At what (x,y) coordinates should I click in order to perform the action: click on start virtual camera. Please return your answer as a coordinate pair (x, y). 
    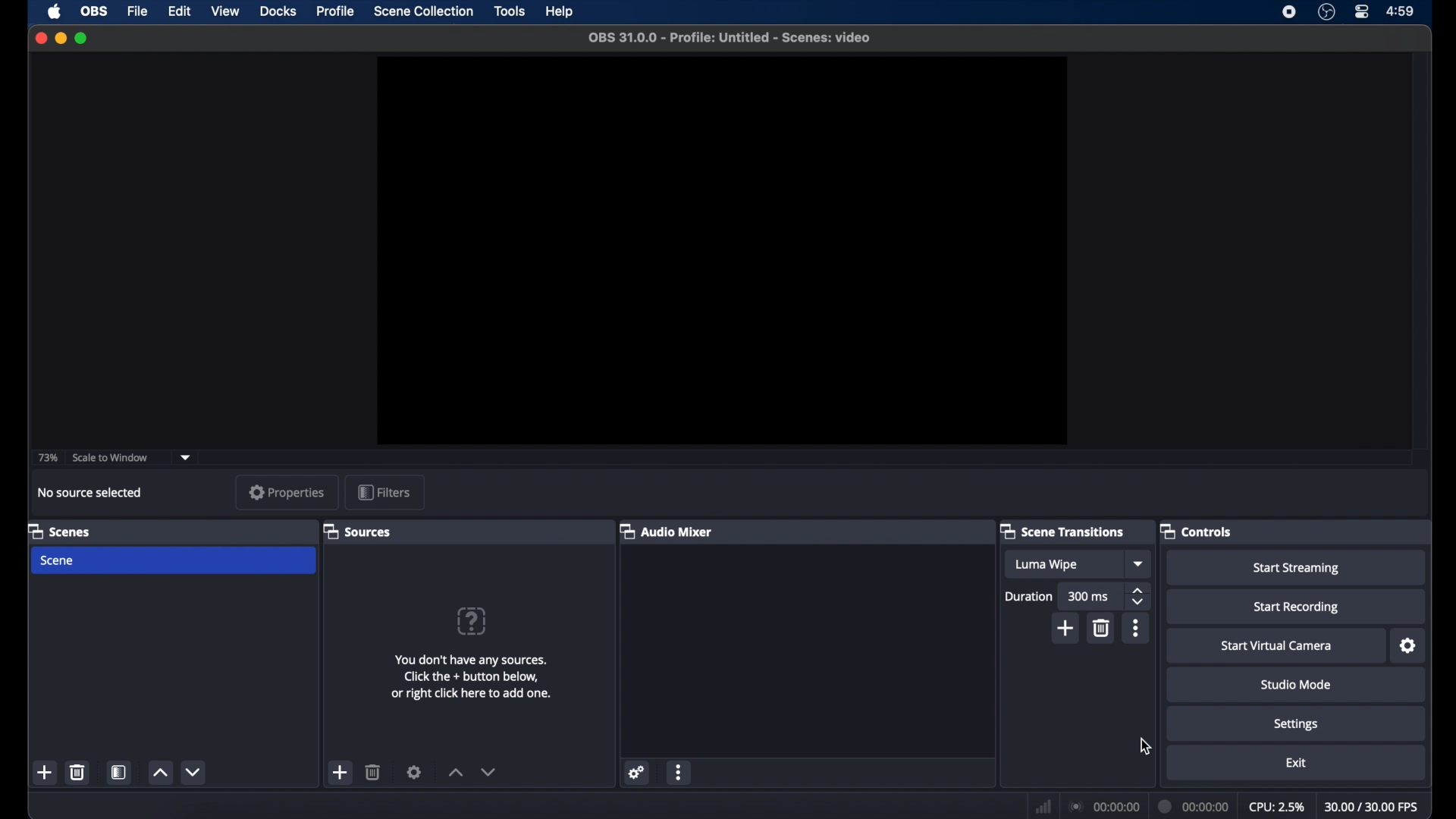
    Looking at the image, I should click on (1278, 645).